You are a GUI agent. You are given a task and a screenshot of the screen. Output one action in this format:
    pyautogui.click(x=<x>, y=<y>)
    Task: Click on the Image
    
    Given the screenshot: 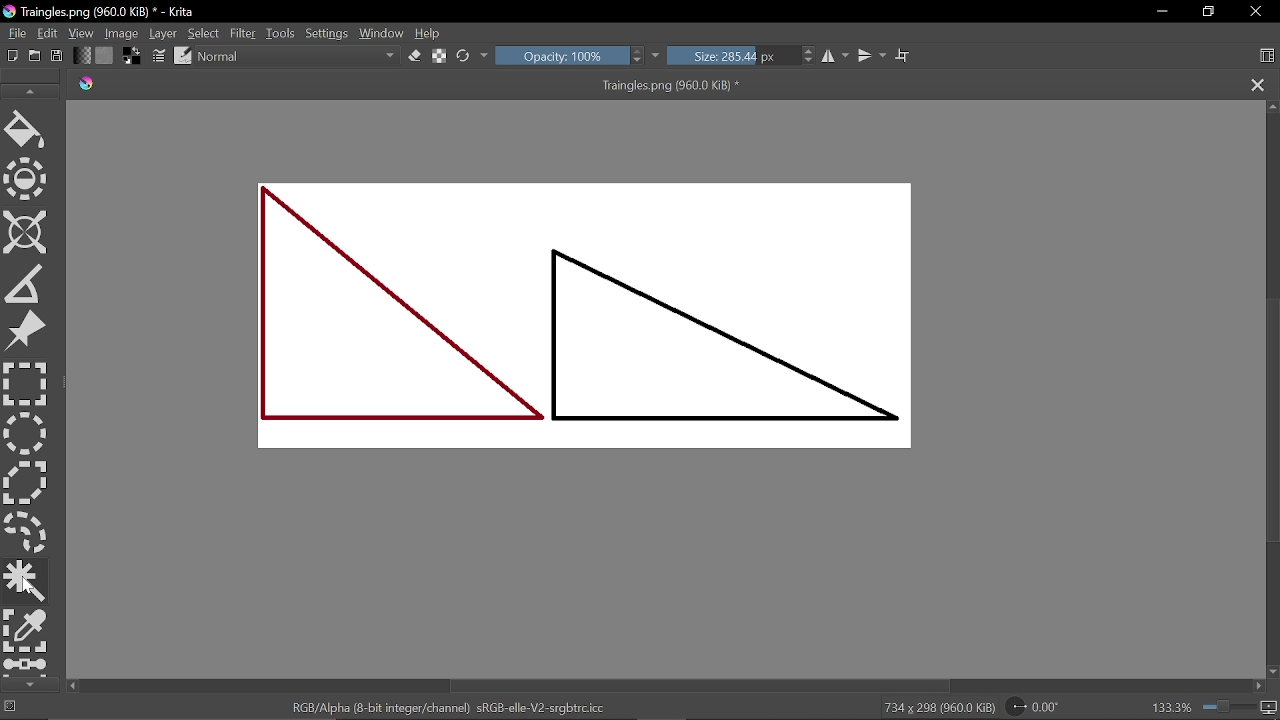 What is the action you would take?
    pyautogui.click(x=122, y=32)
    